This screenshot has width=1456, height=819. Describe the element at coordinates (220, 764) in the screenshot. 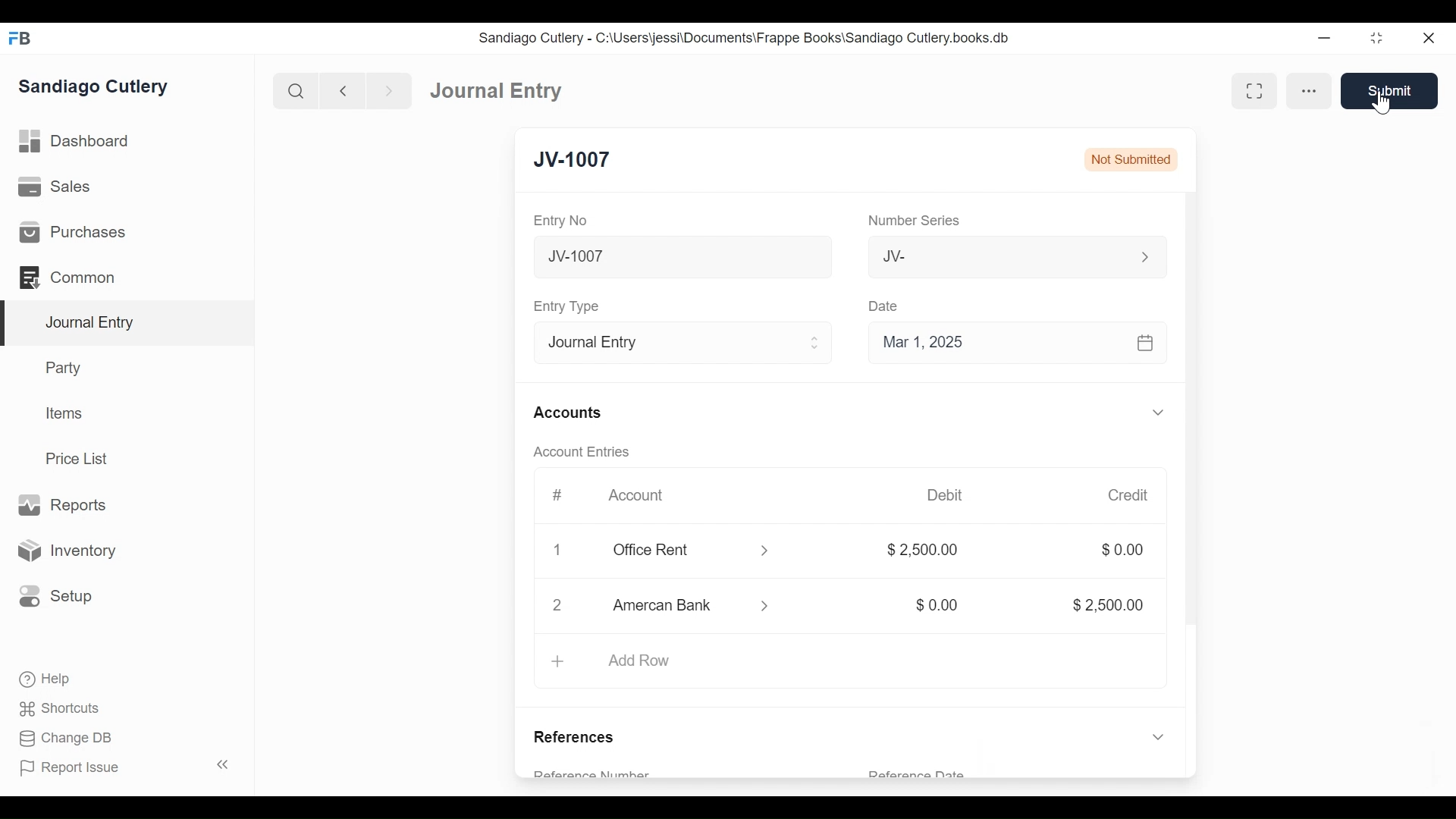

I see `collapse sidebar` at that location.